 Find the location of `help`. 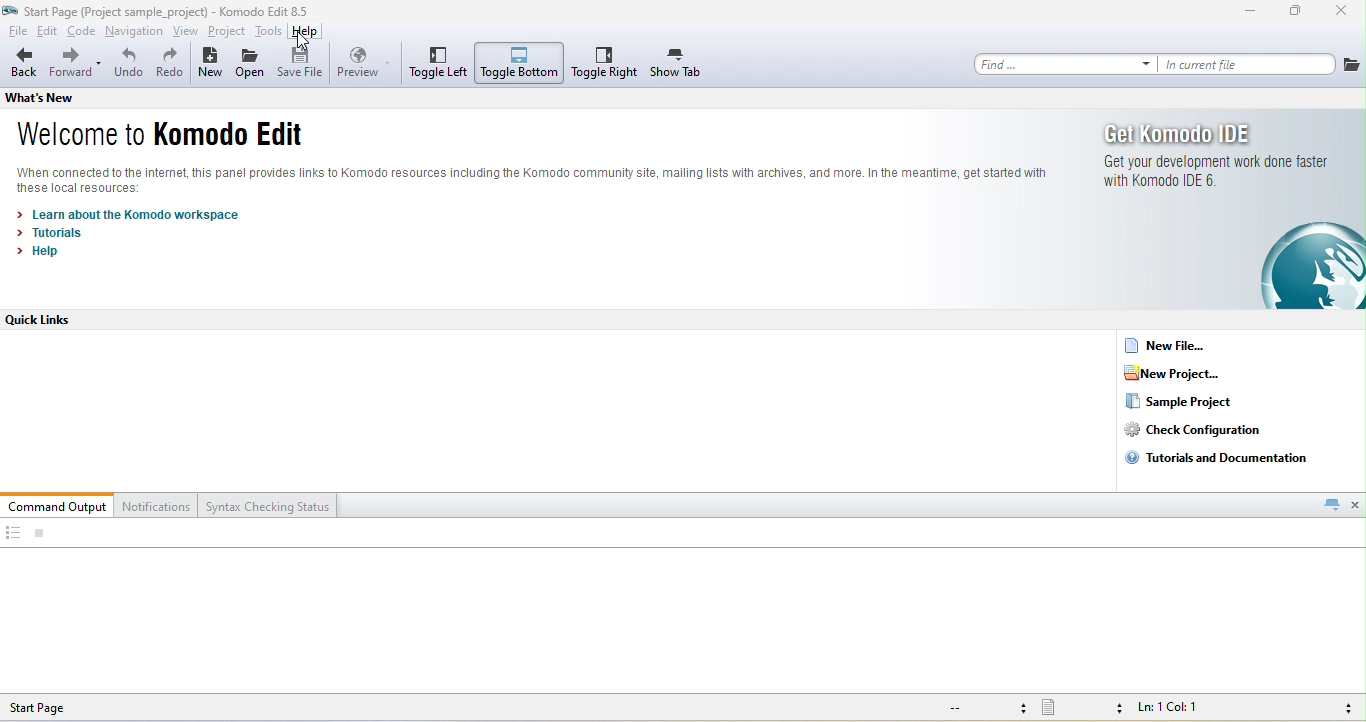

help is located at coordinates (306, 33).